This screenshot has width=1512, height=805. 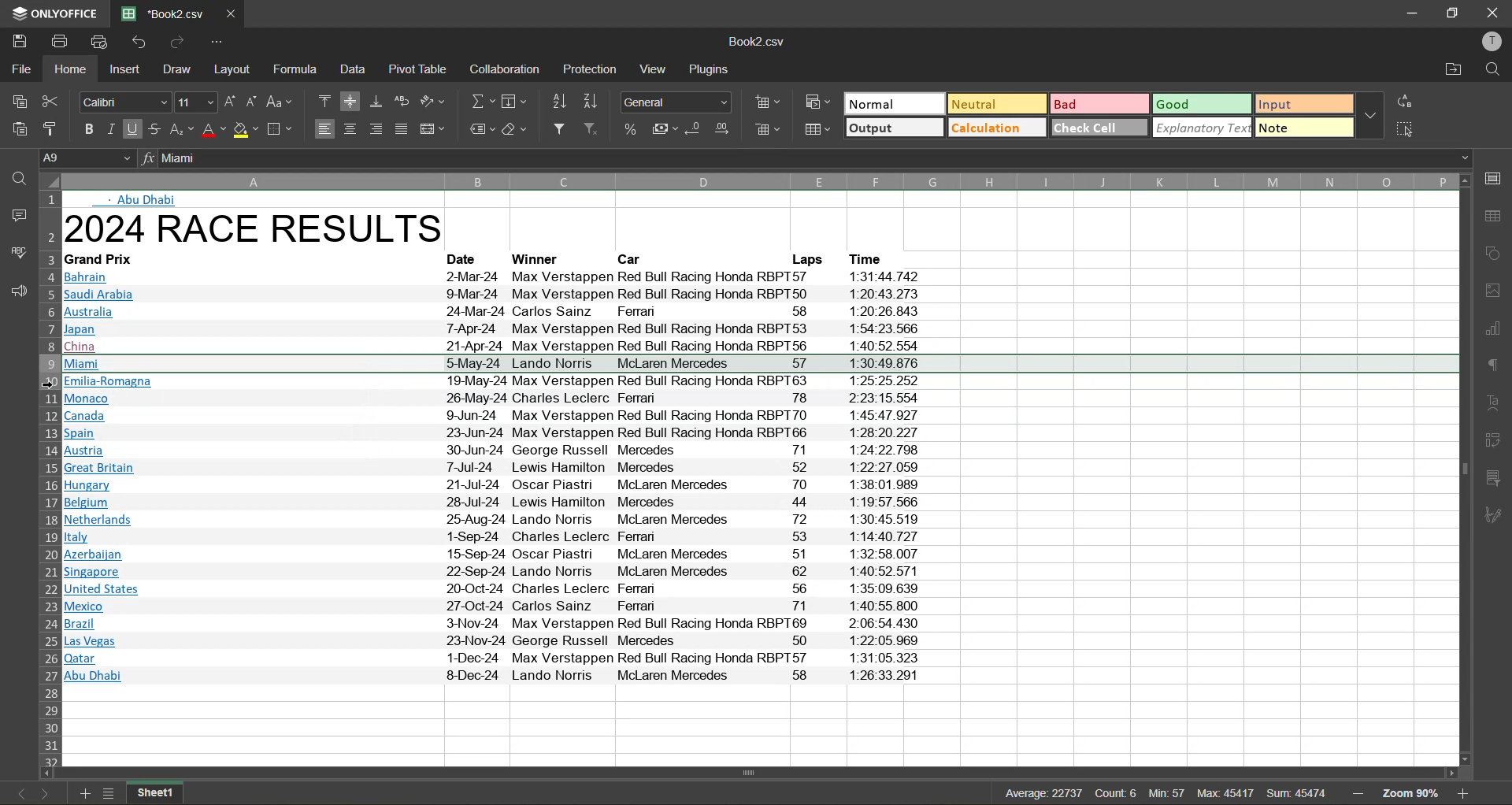 What do you see at coordinates (252, 102) in the screenshot?
I see `decrement size` at bounding box center [252, 102].